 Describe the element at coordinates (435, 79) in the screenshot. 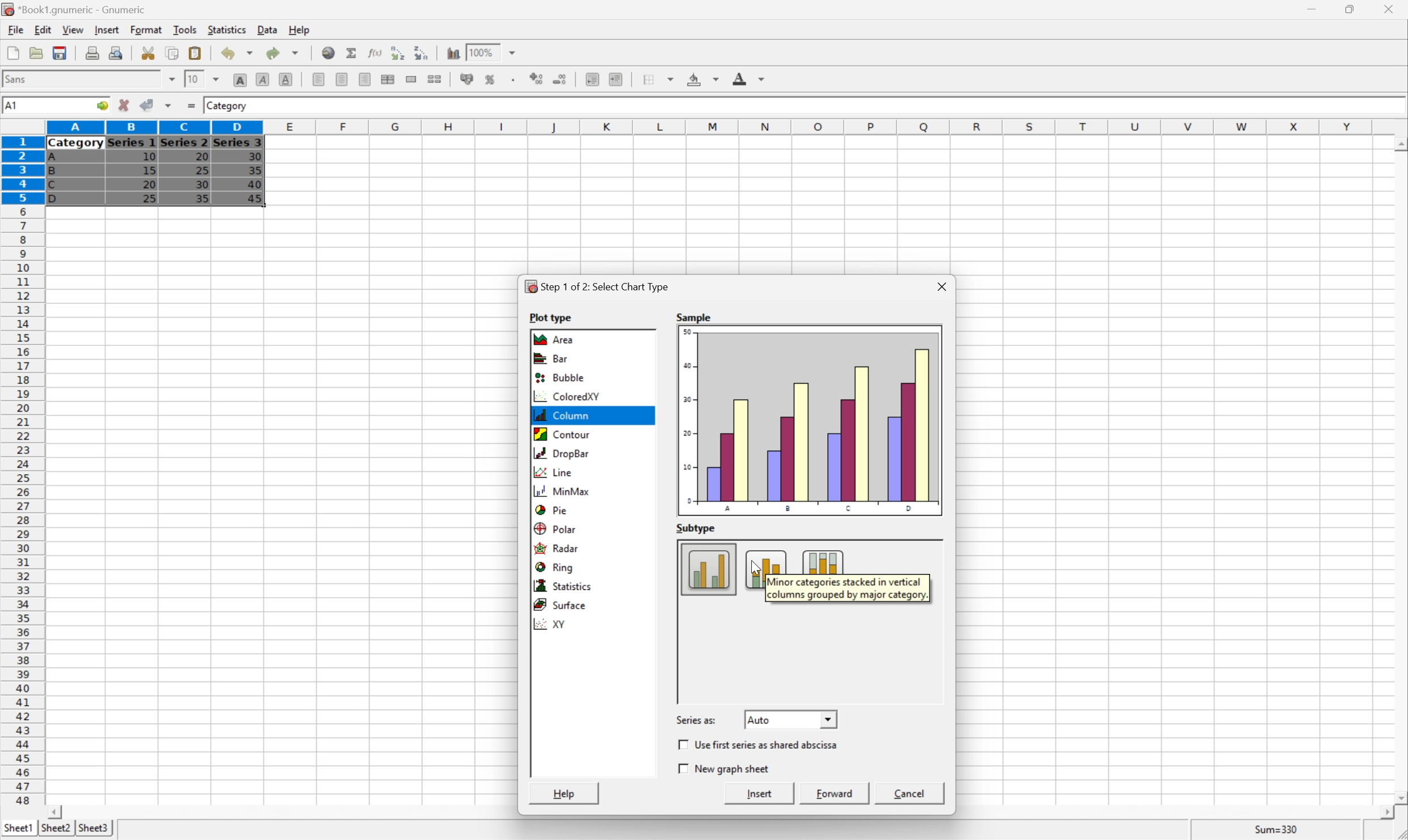

I see `Split merged ranges of cells` at that location.